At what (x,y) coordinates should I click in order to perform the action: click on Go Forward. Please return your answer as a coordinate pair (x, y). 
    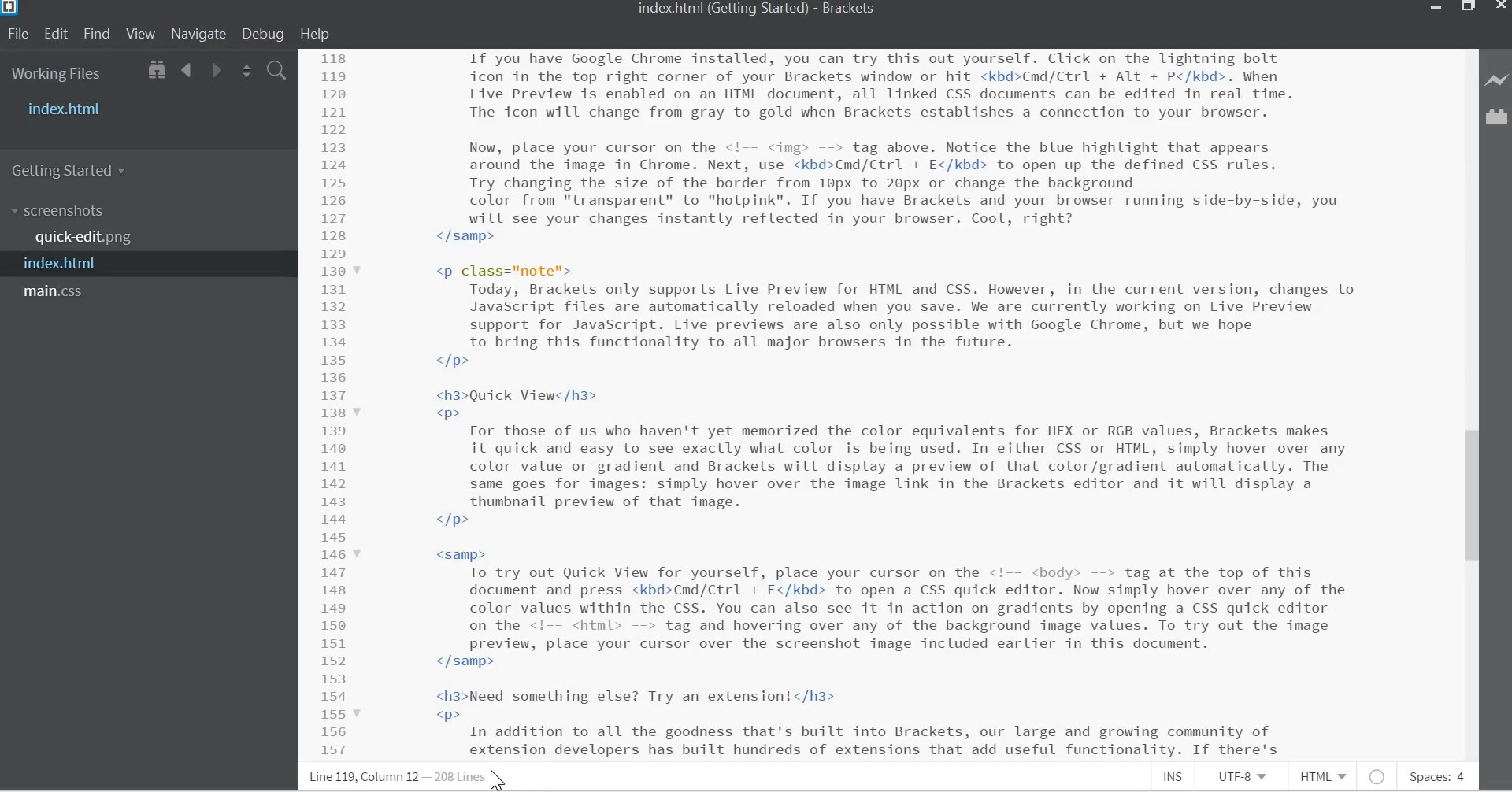
    Looking at the image, I should click on (215, 69).